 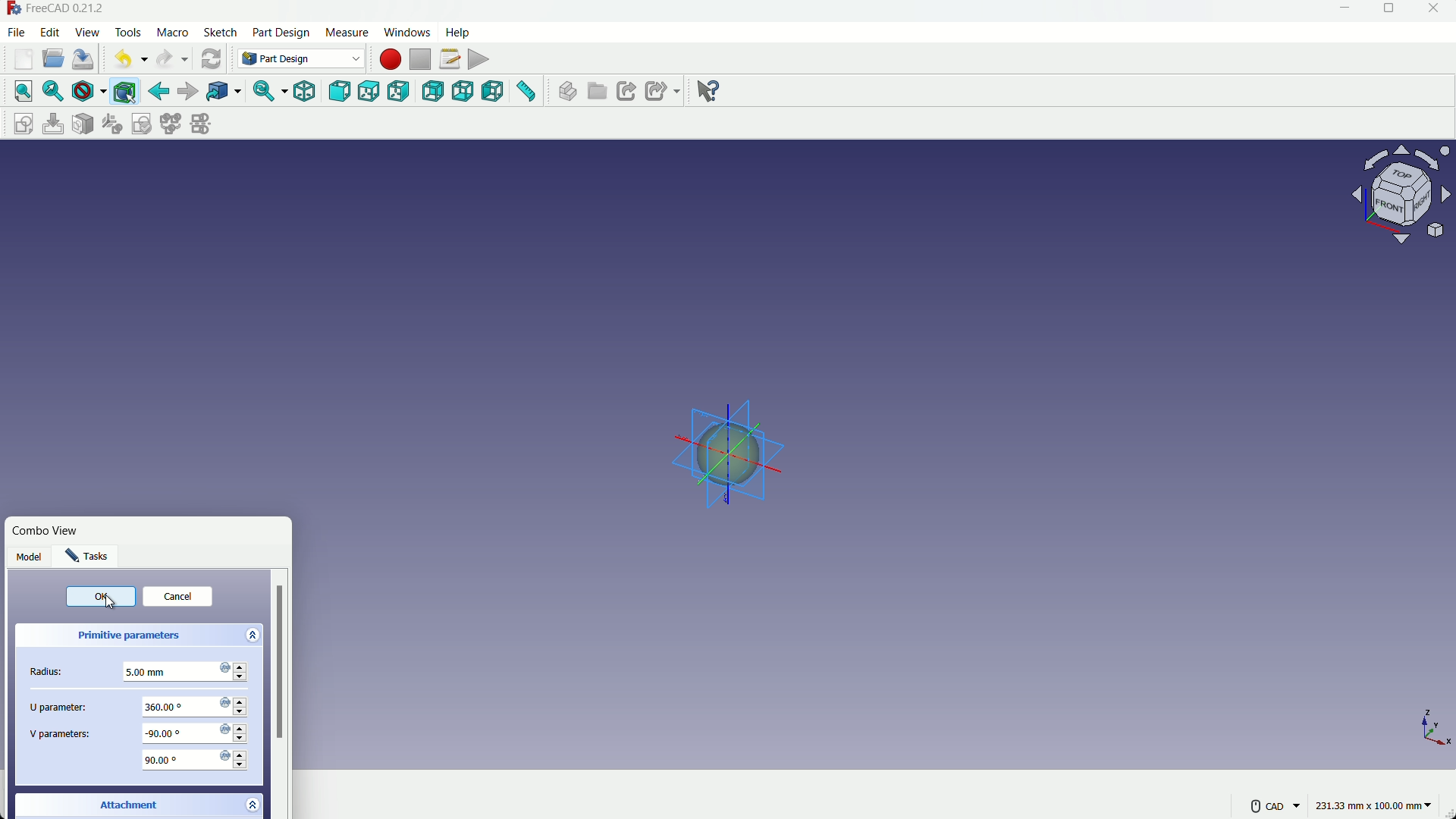 I want to click on v parameter, so click(x=196, y=733).